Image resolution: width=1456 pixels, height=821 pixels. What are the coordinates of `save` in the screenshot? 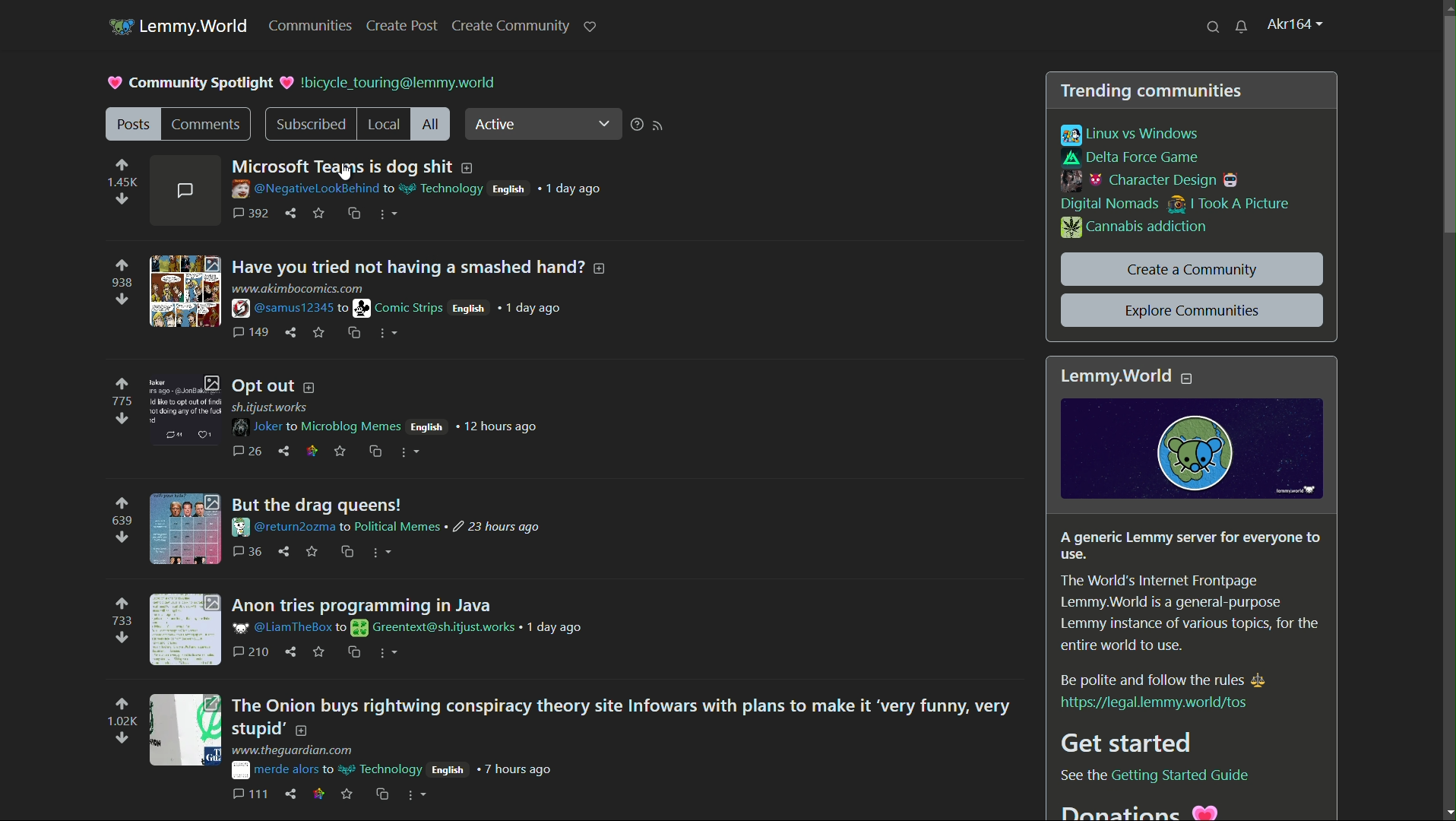 It's located at (349, 792).